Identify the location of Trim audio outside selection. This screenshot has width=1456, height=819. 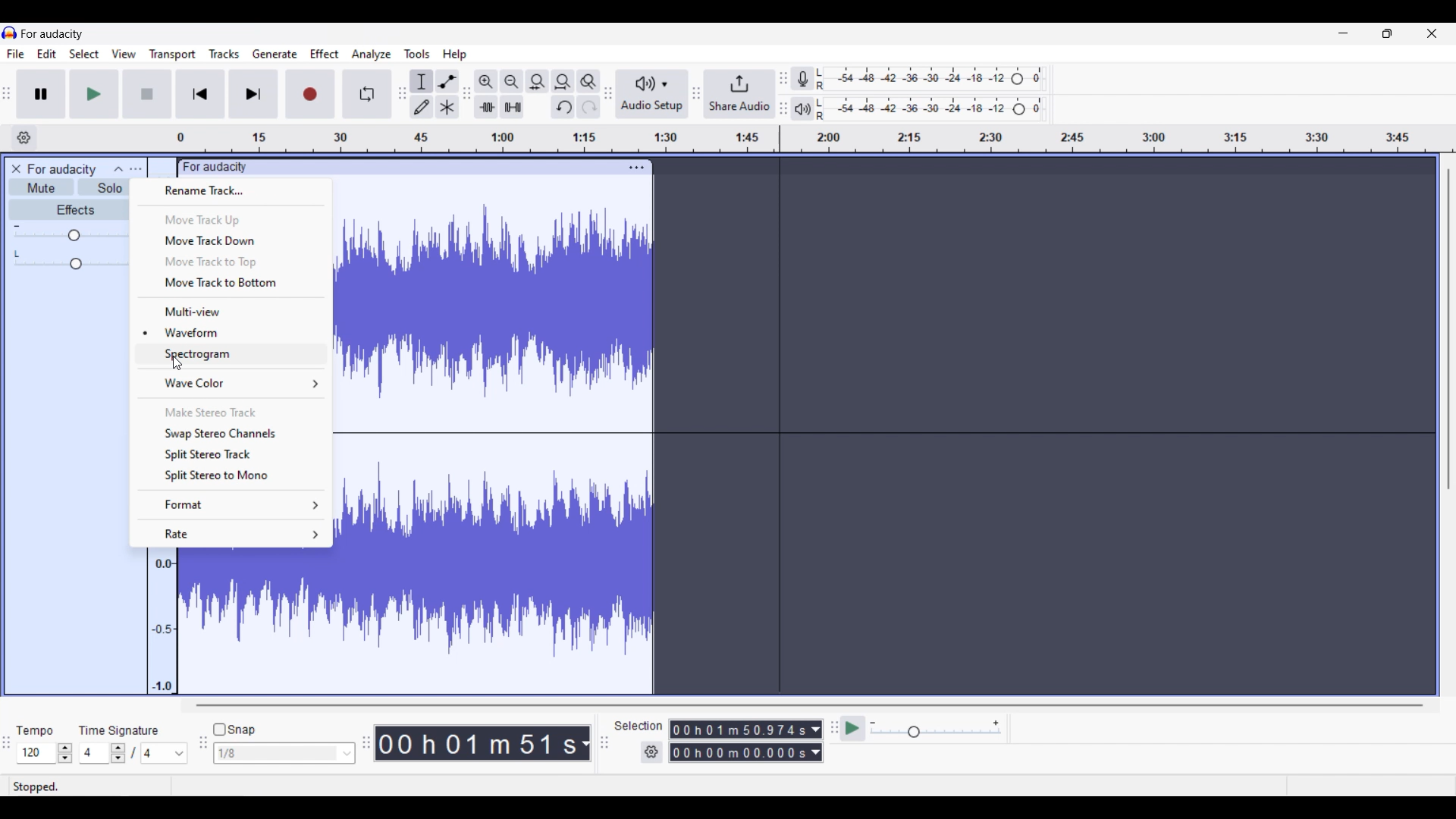
(486, 108).